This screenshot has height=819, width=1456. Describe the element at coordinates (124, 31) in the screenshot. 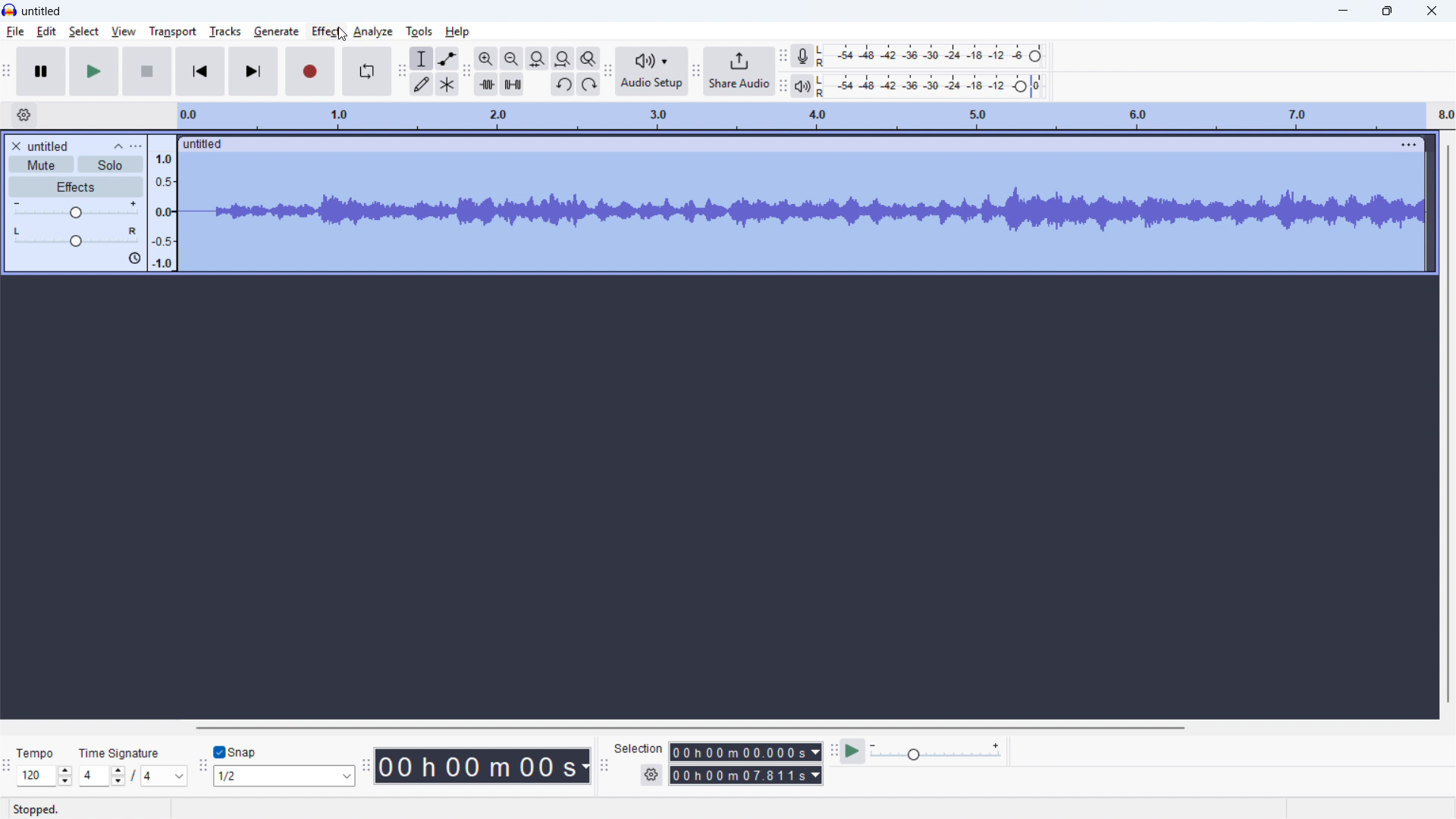

I see `view` at that location.